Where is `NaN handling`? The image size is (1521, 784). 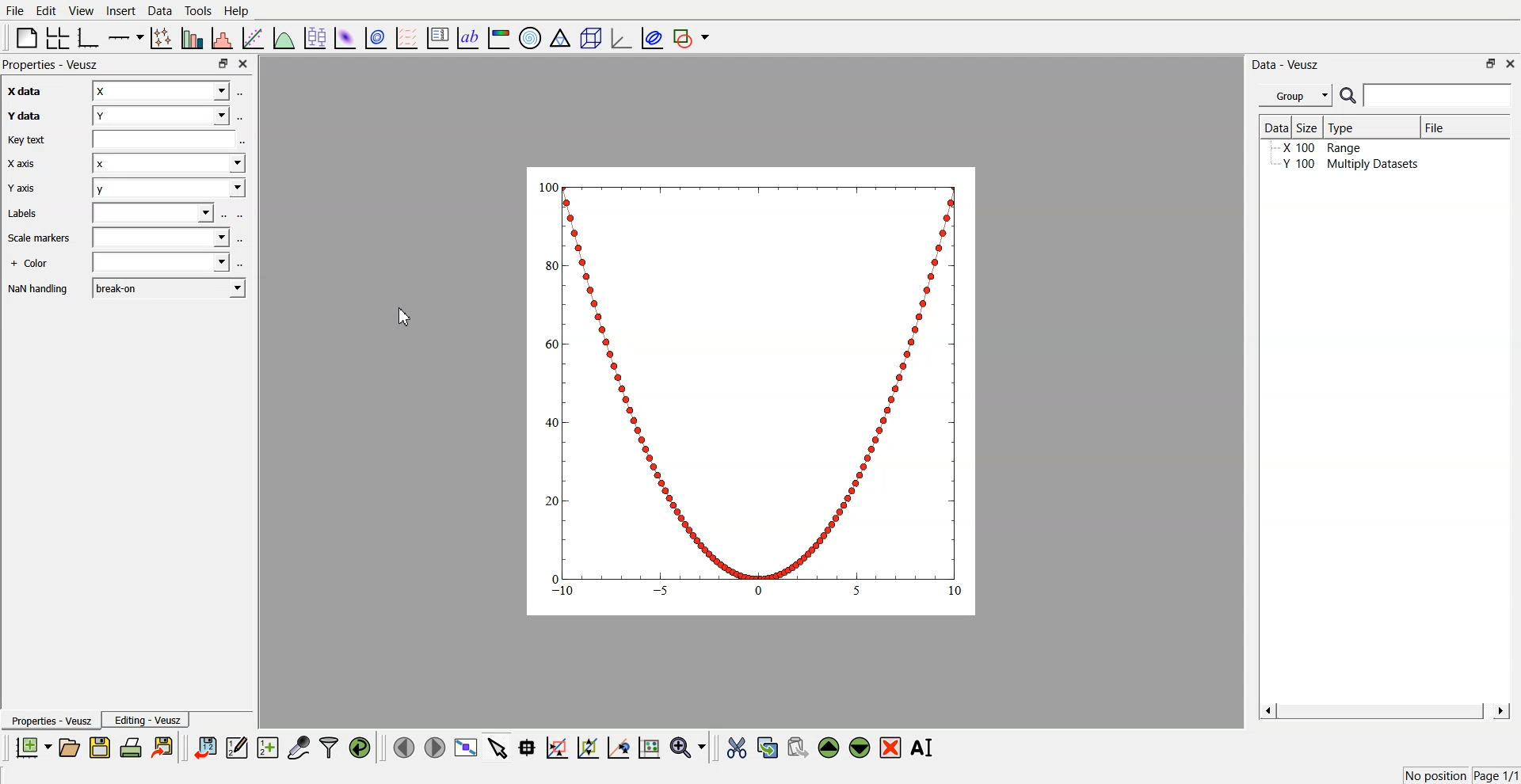
NaN handling is located at coordinates (41, 289).